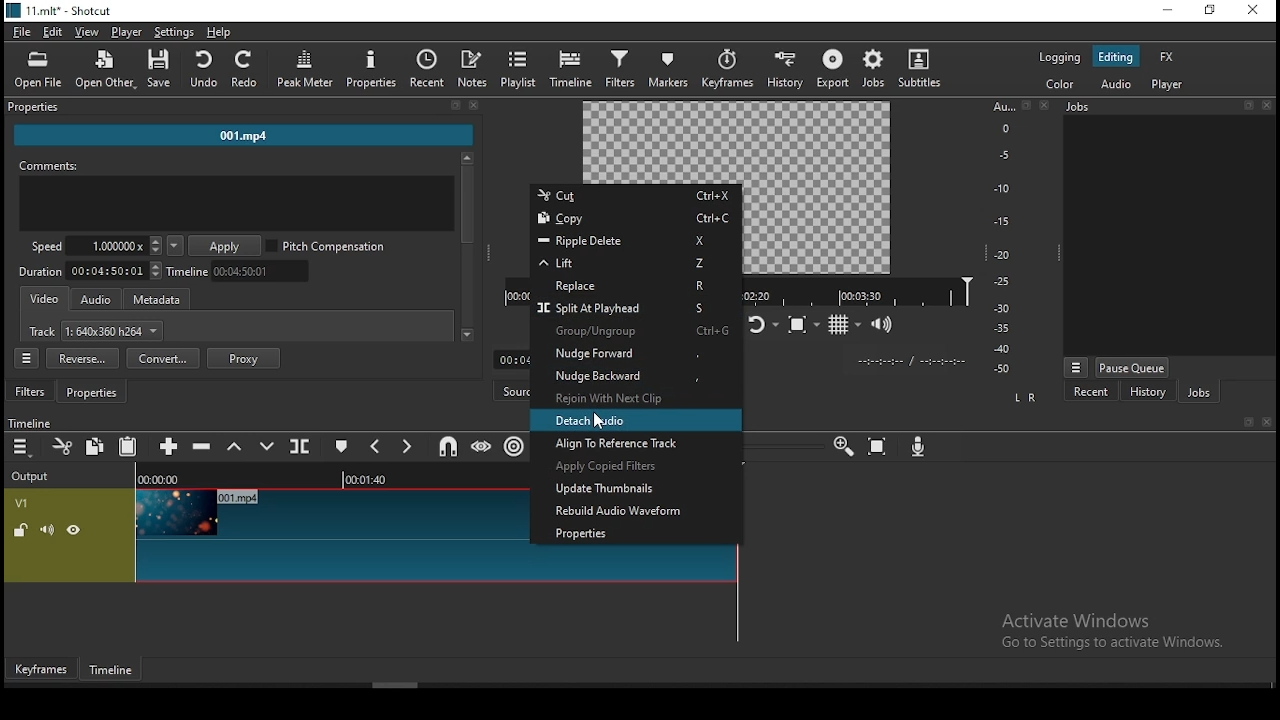 This screenshot has height=720, width=1280. Describe the element at coordinates (643, 511) in the screenshot. I see `rebuild audio waveform` at that location.